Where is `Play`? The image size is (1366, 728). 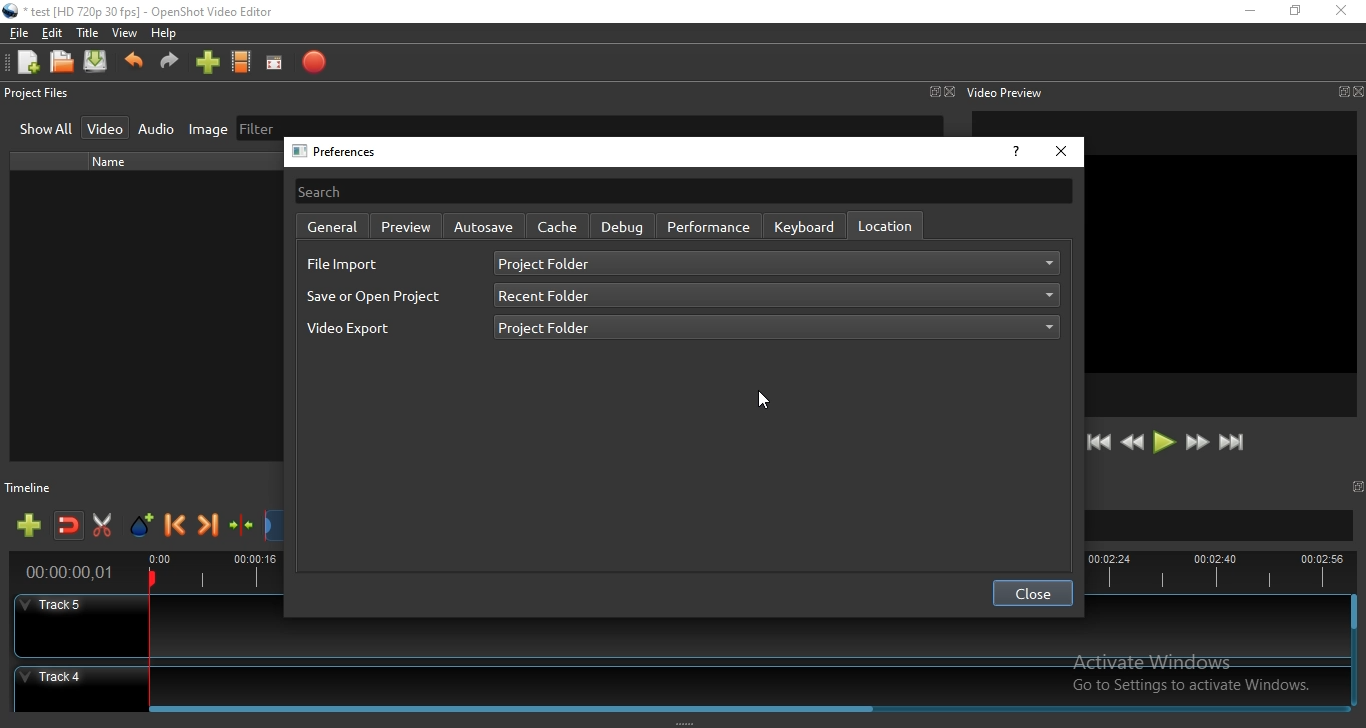
Play is located at coordinates (1164, 443).